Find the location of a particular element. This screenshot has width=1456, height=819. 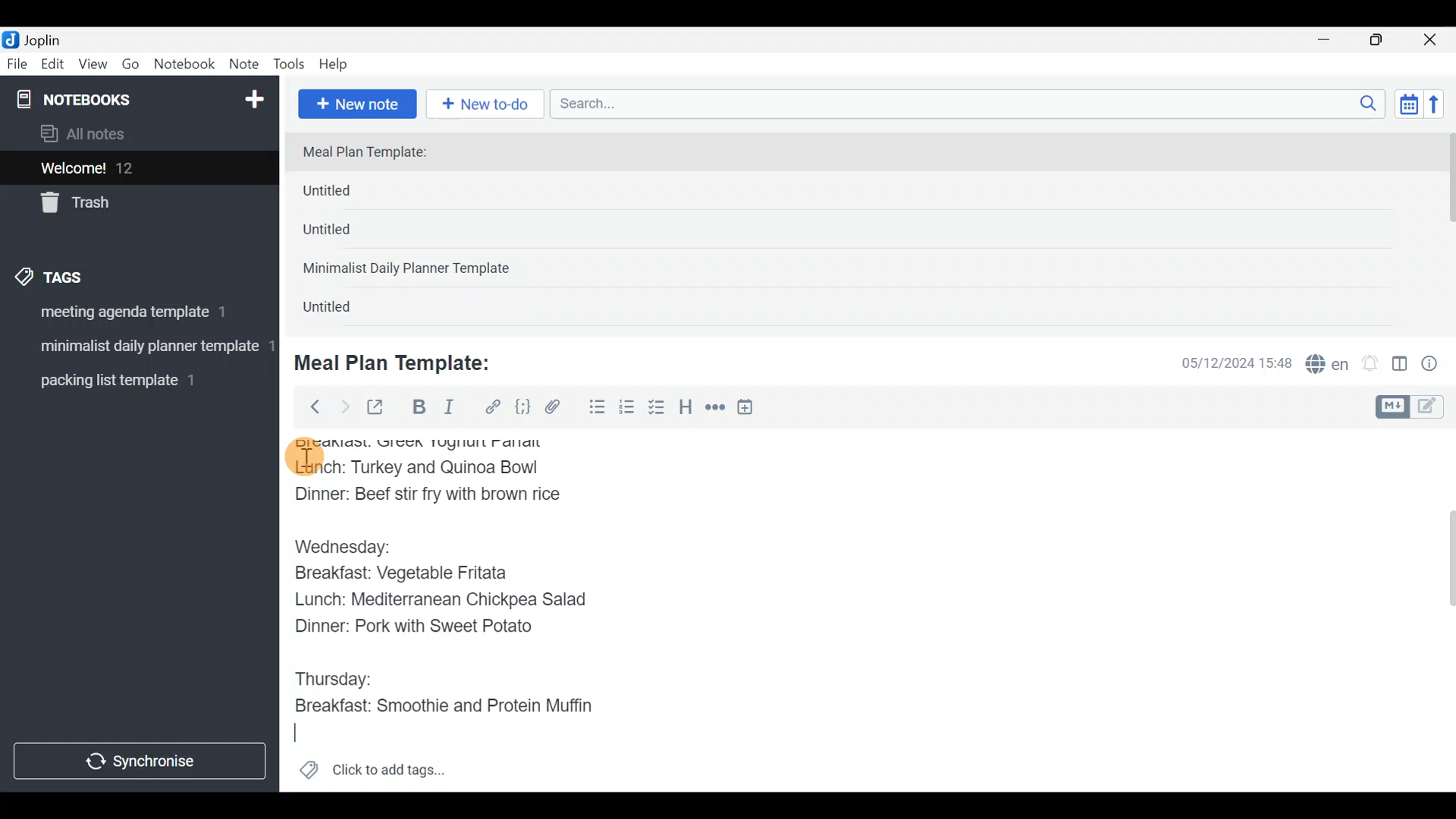

Date & time is located at coordinates (1225, 362).